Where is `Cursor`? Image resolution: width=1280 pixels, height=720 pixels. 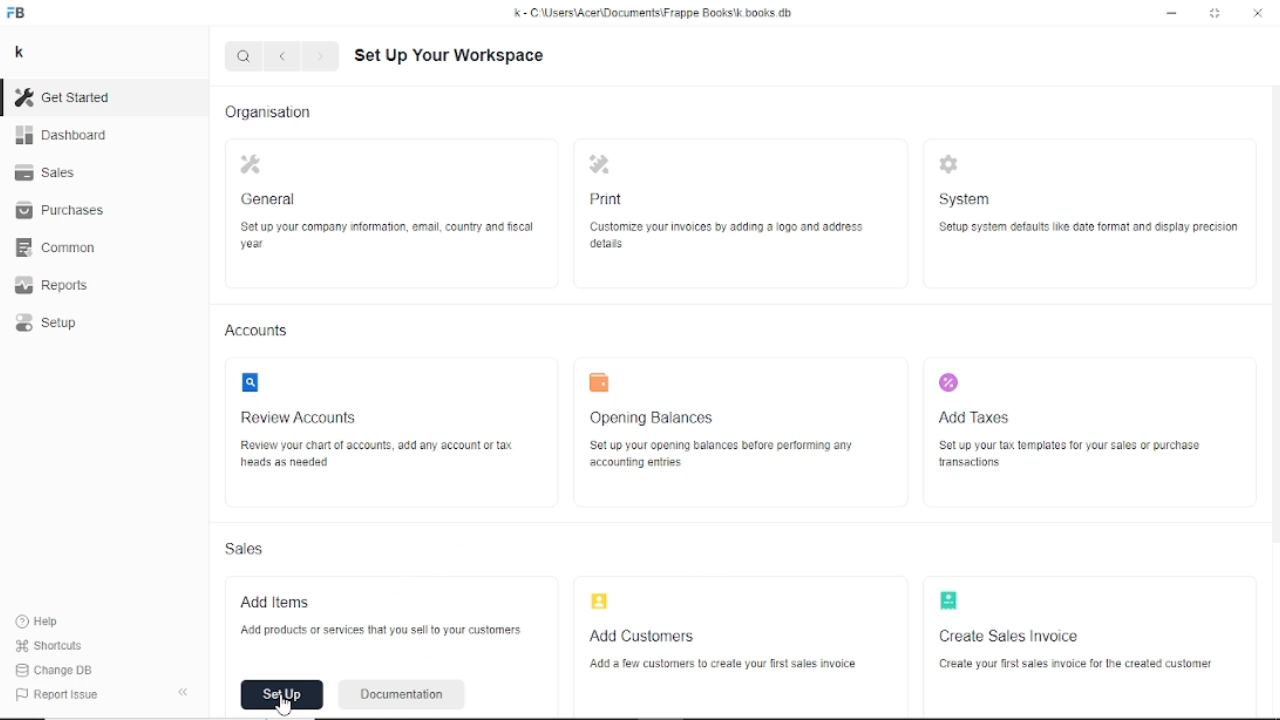 Cursor is located at coordinates (283, 703).